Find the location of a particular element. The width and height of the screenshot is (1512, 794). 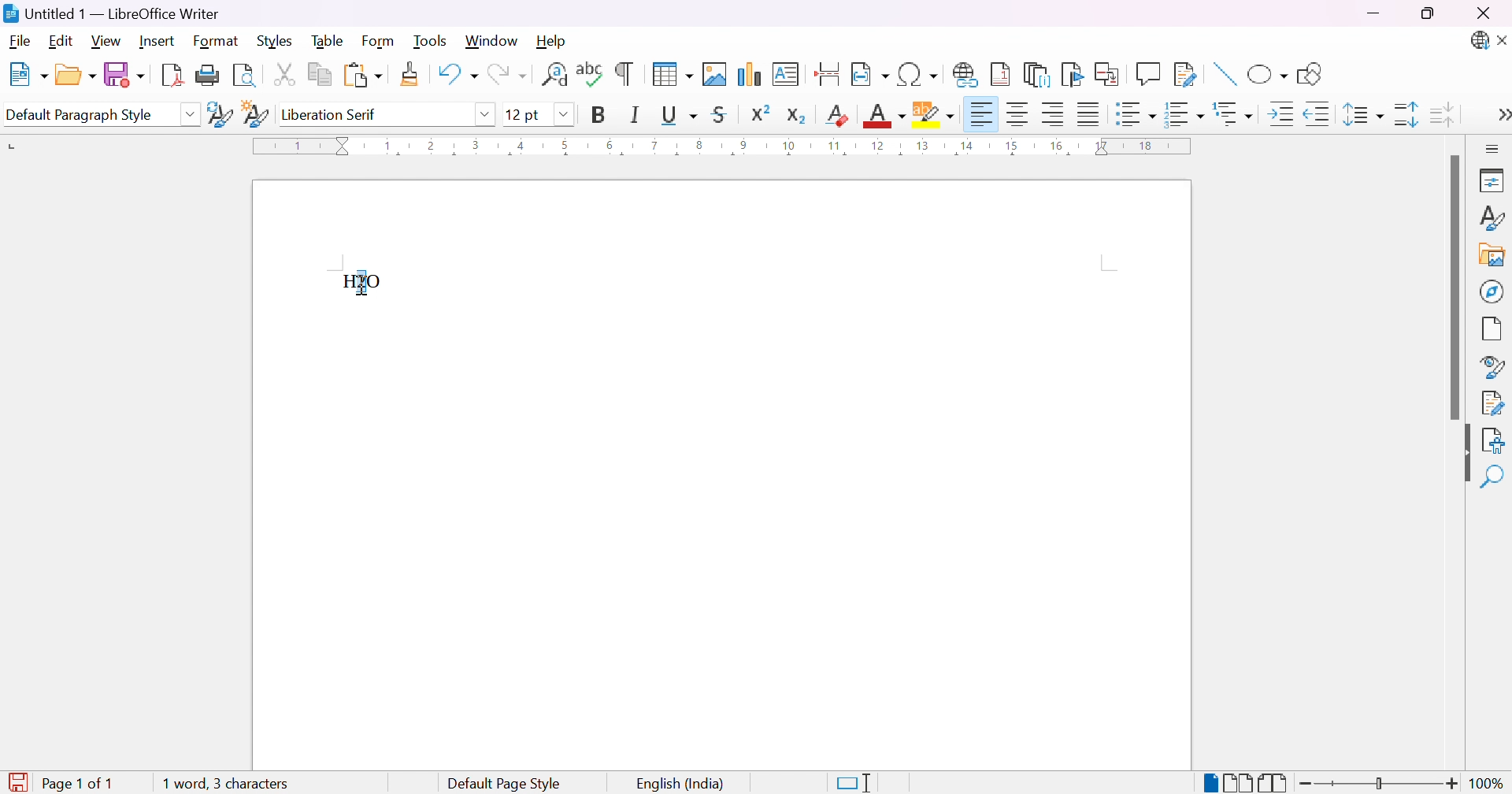

100% is located at coordinates (1488, 784).